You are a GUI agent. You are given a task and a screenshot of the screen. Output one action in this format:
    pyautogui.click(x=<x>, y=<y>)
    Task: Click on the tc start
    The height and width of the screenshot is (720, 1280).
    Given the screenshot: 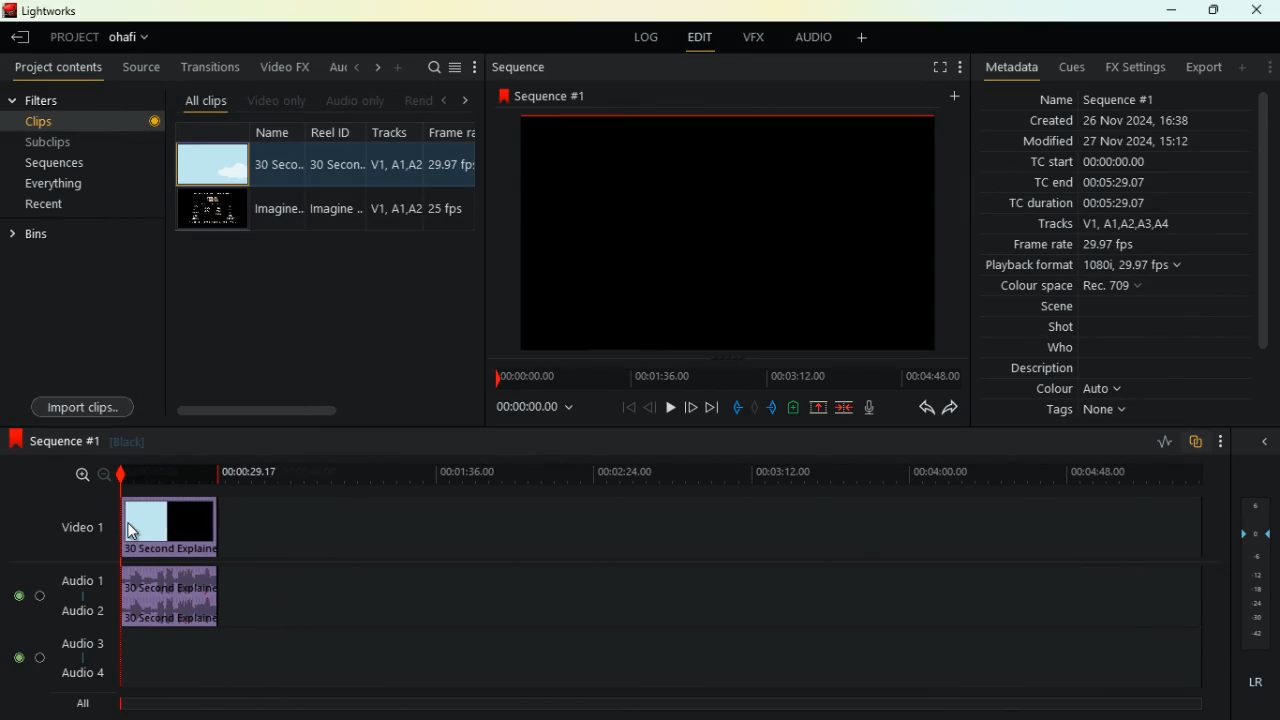 What is the action you would take?
    pyautogui.click(x=1085, y=163)
    